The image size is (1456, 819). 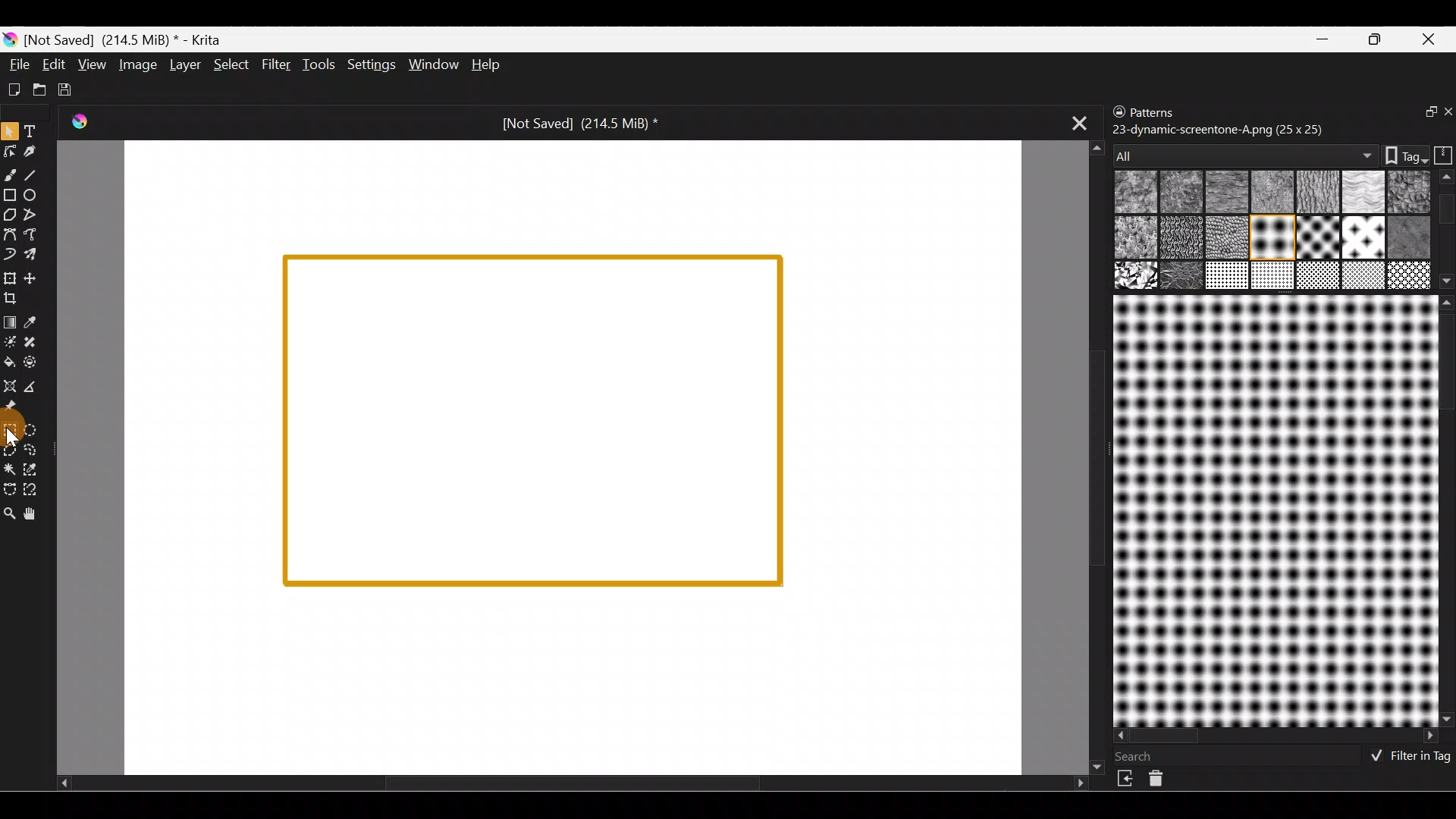 I want to click on 09 drawed_crosshatched.png, so click(x=1179, y=239).